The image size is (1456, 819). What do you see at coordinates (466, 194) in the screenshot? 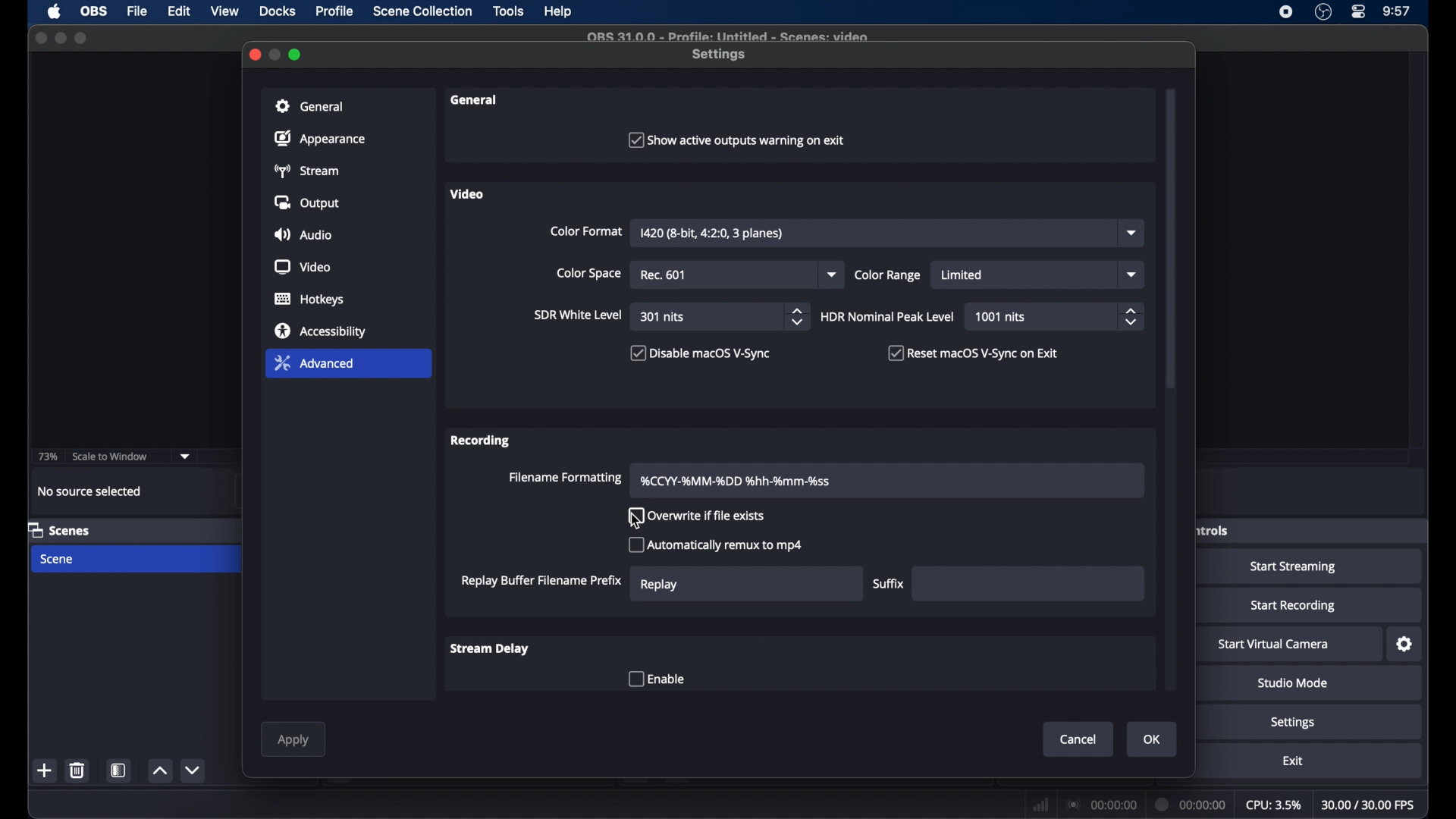
I see `video` at bounding box center [466, 194].